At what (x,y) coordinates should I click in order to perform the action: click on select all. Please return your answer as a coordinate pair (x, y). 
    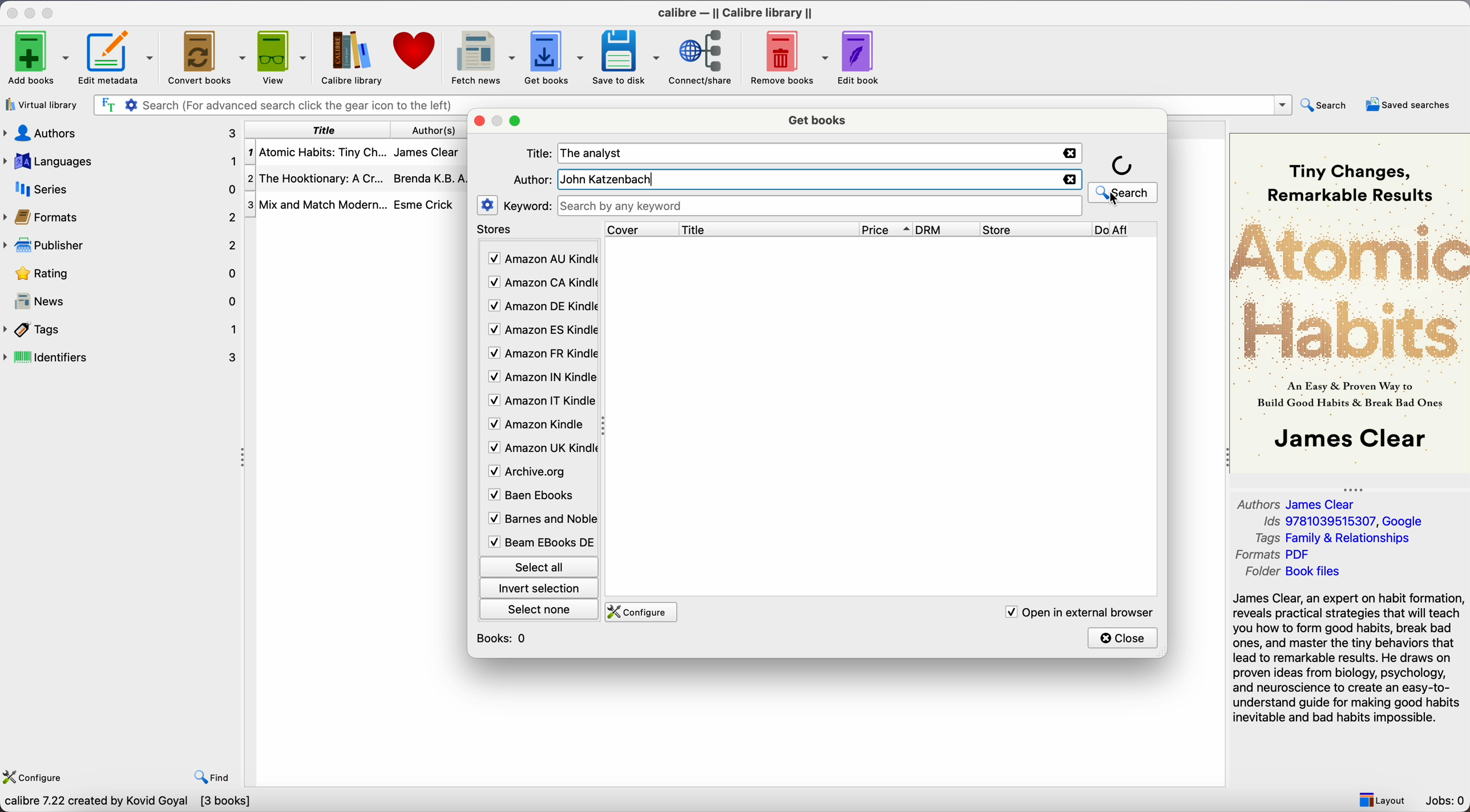
    Looking at the image, I should click on (538, 565).